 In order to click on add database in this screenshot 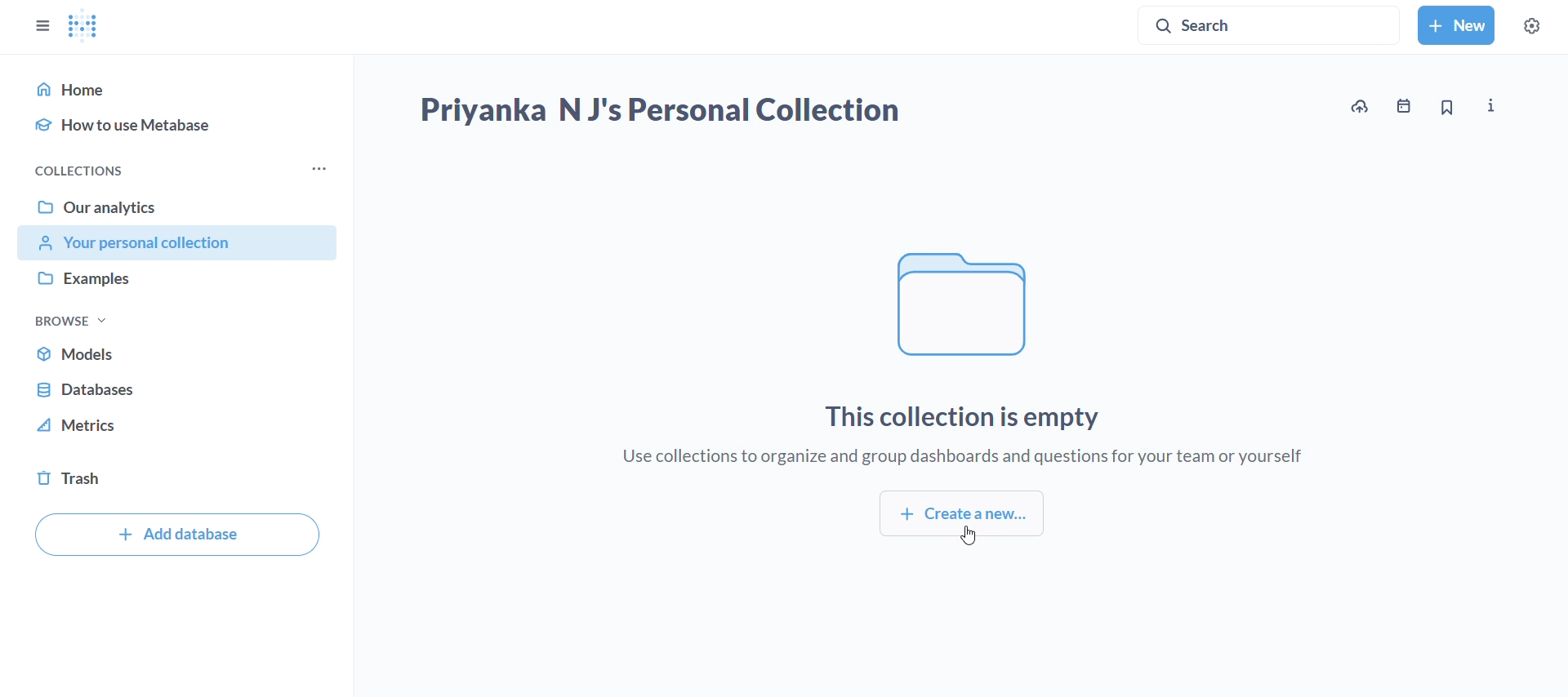, I will do `click(176, 535)`.